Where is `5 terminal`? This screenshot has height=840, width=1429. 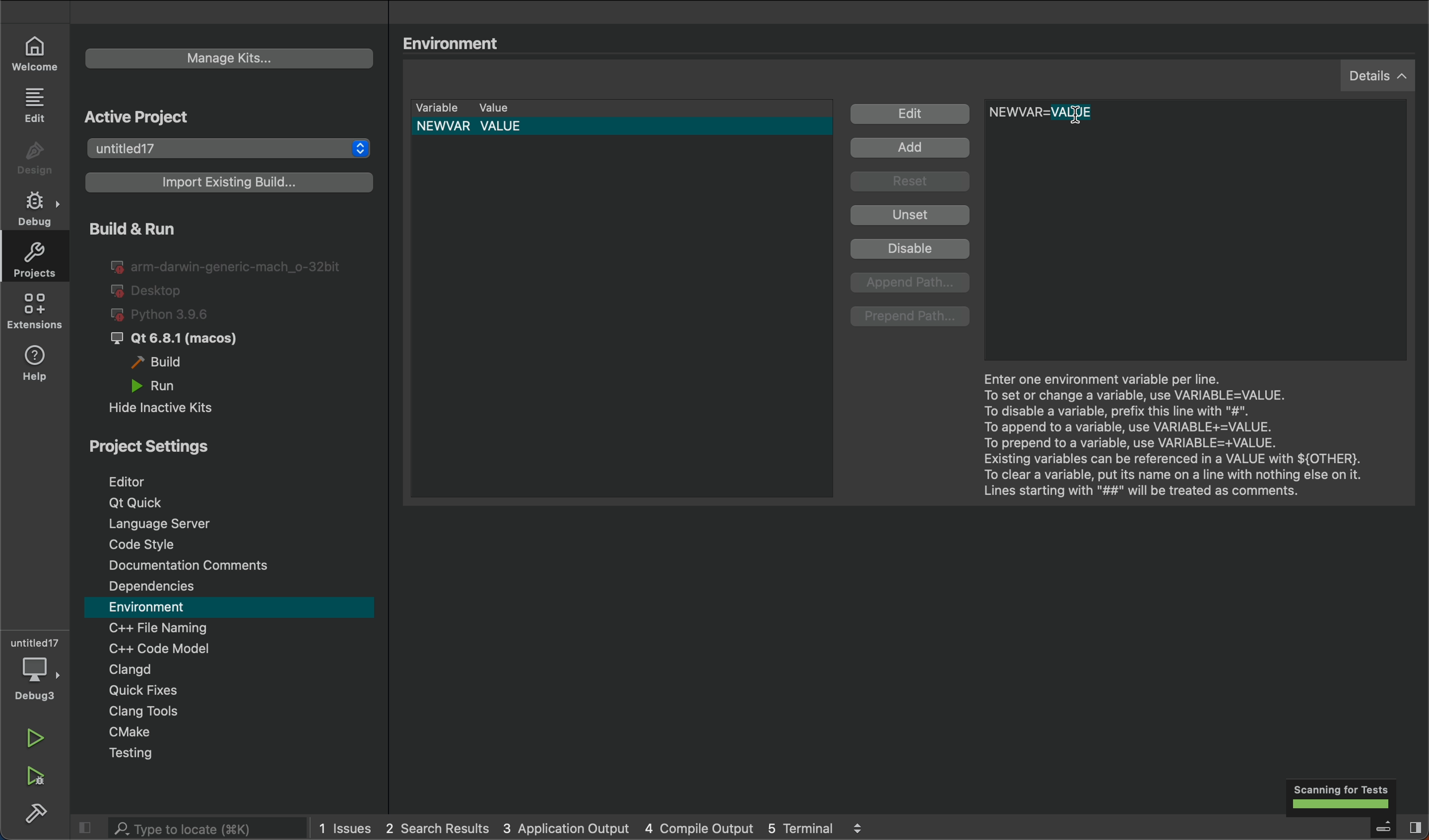 5 terminal is located at coordinates (849, 828).